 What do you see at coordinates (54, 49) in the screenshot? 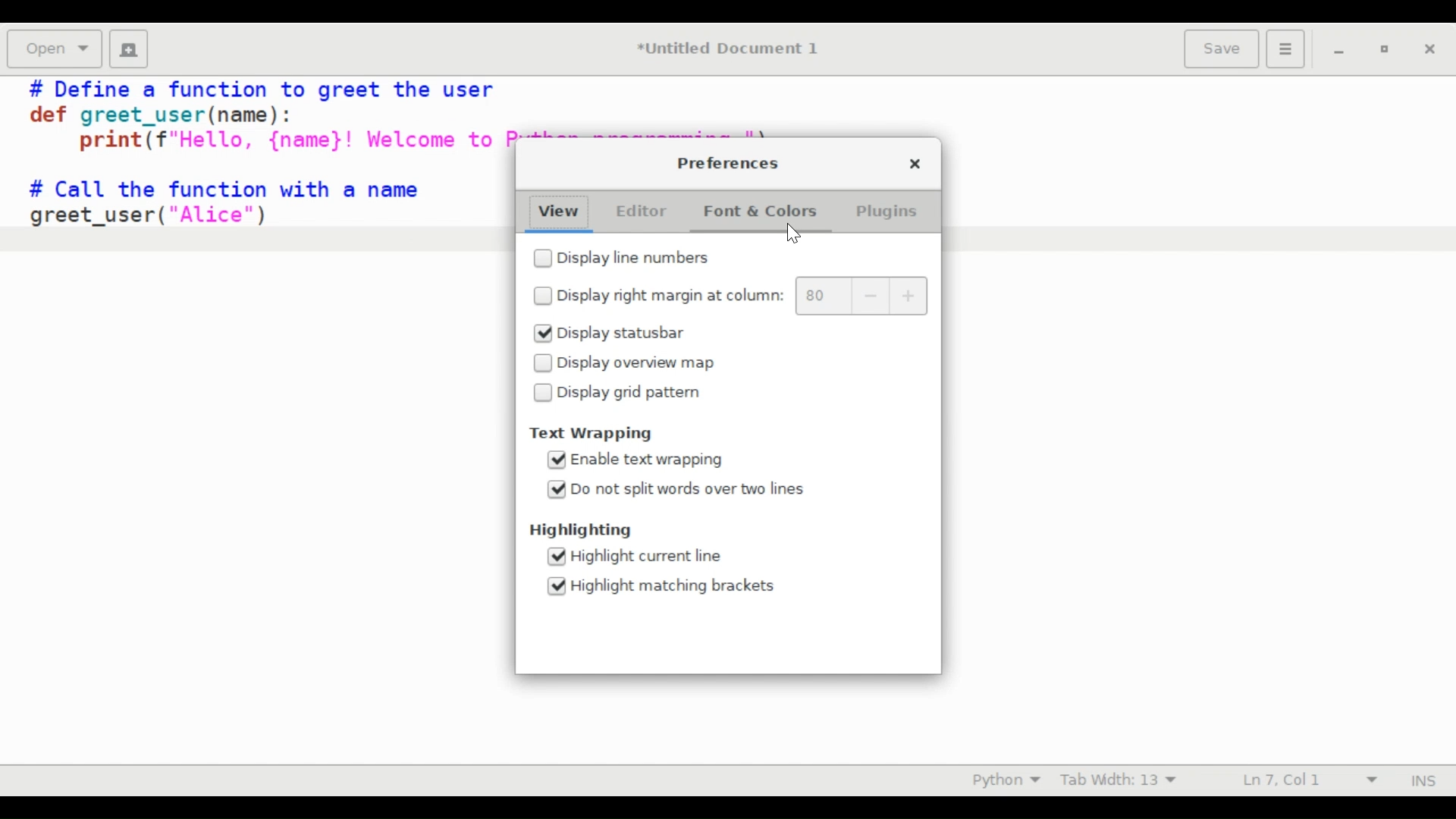
I see `Open` at bounding box center [54, 49].